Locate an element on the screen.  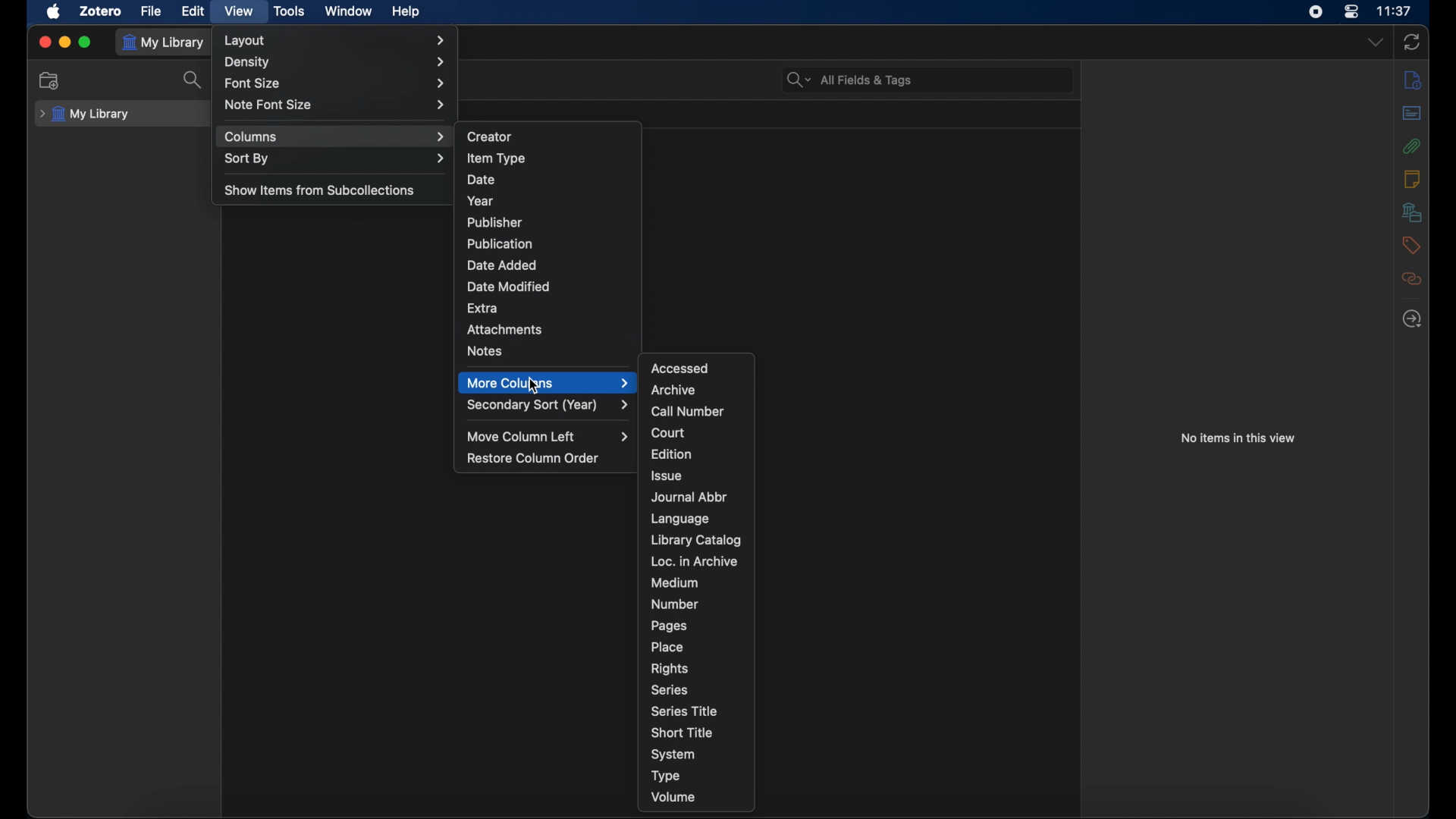
medium is located at coordinates (674, 583).